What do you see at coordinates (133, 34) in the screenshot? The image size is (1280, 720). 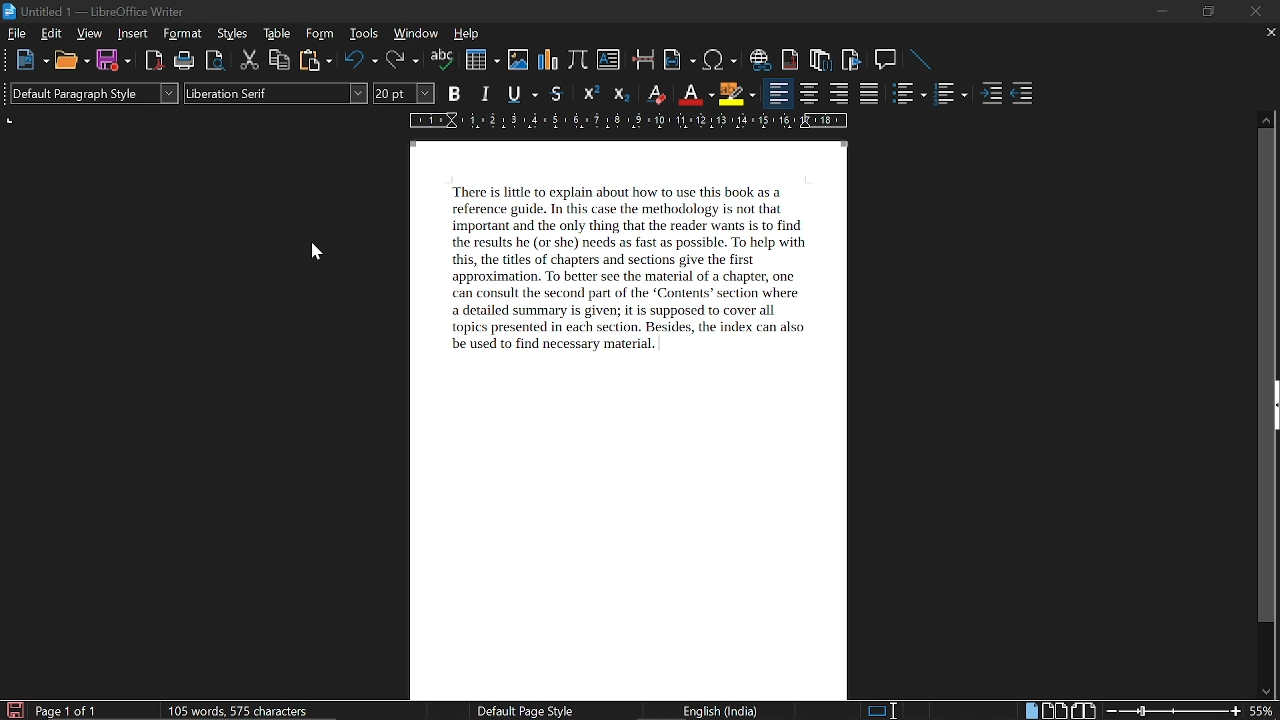 I see `insert` at bounding box center [133, 34].